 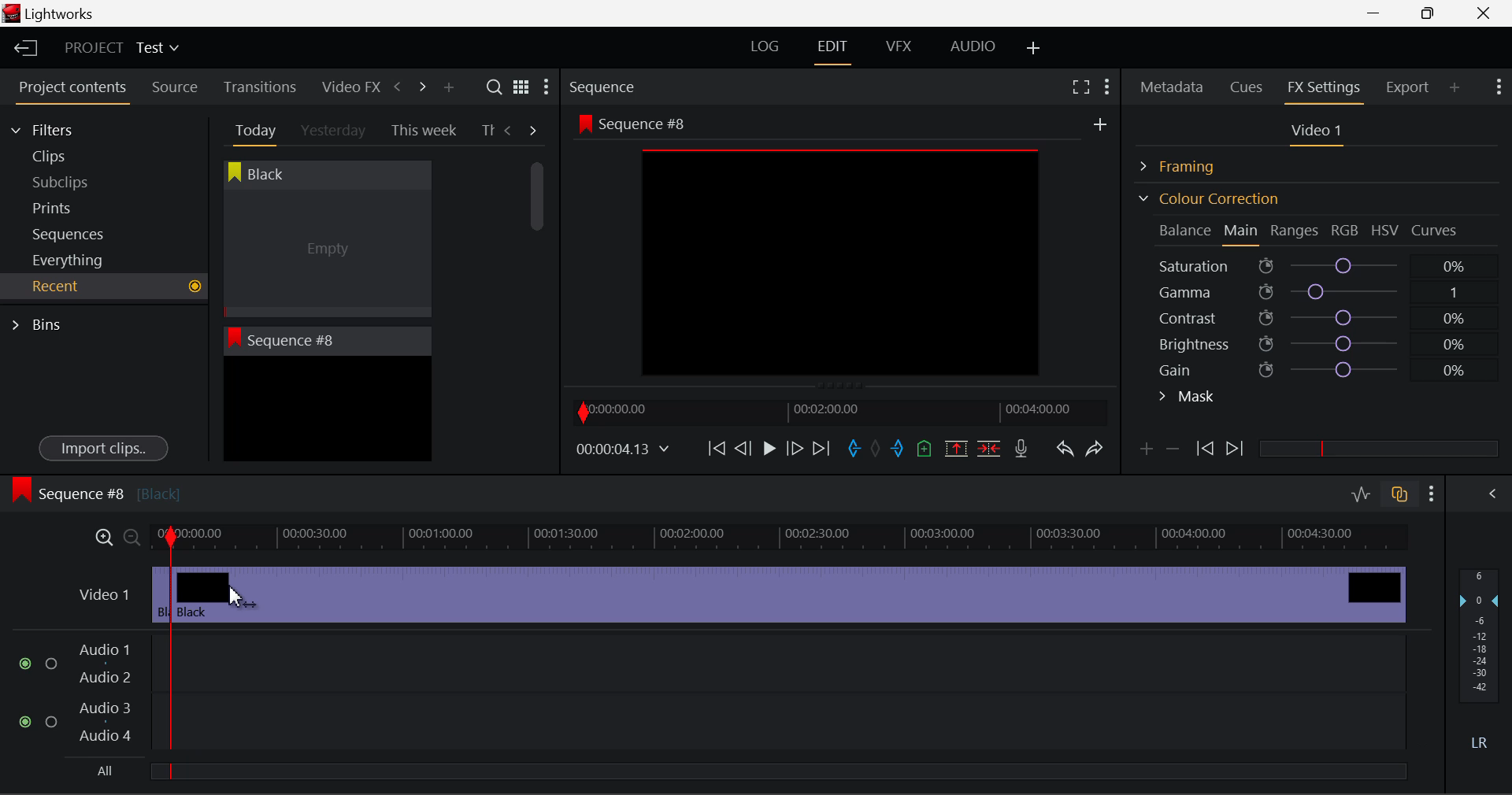 What do you see at coordinates (327, 412) in the screenshot?
I see `Recent Clip` at bounding box center [327, 412].